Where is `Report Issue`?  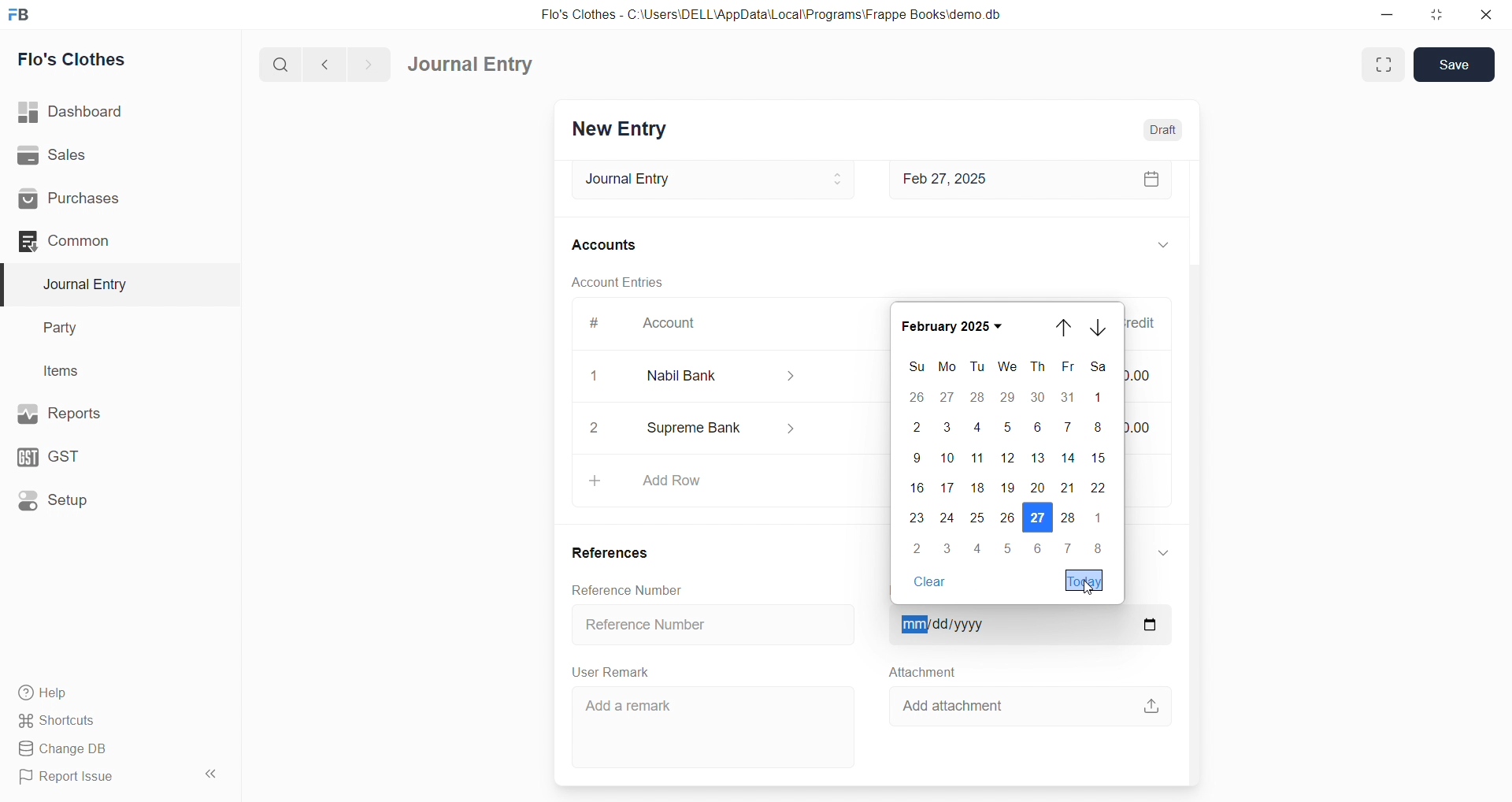 Report Issue is located at coordinates (94, 780).